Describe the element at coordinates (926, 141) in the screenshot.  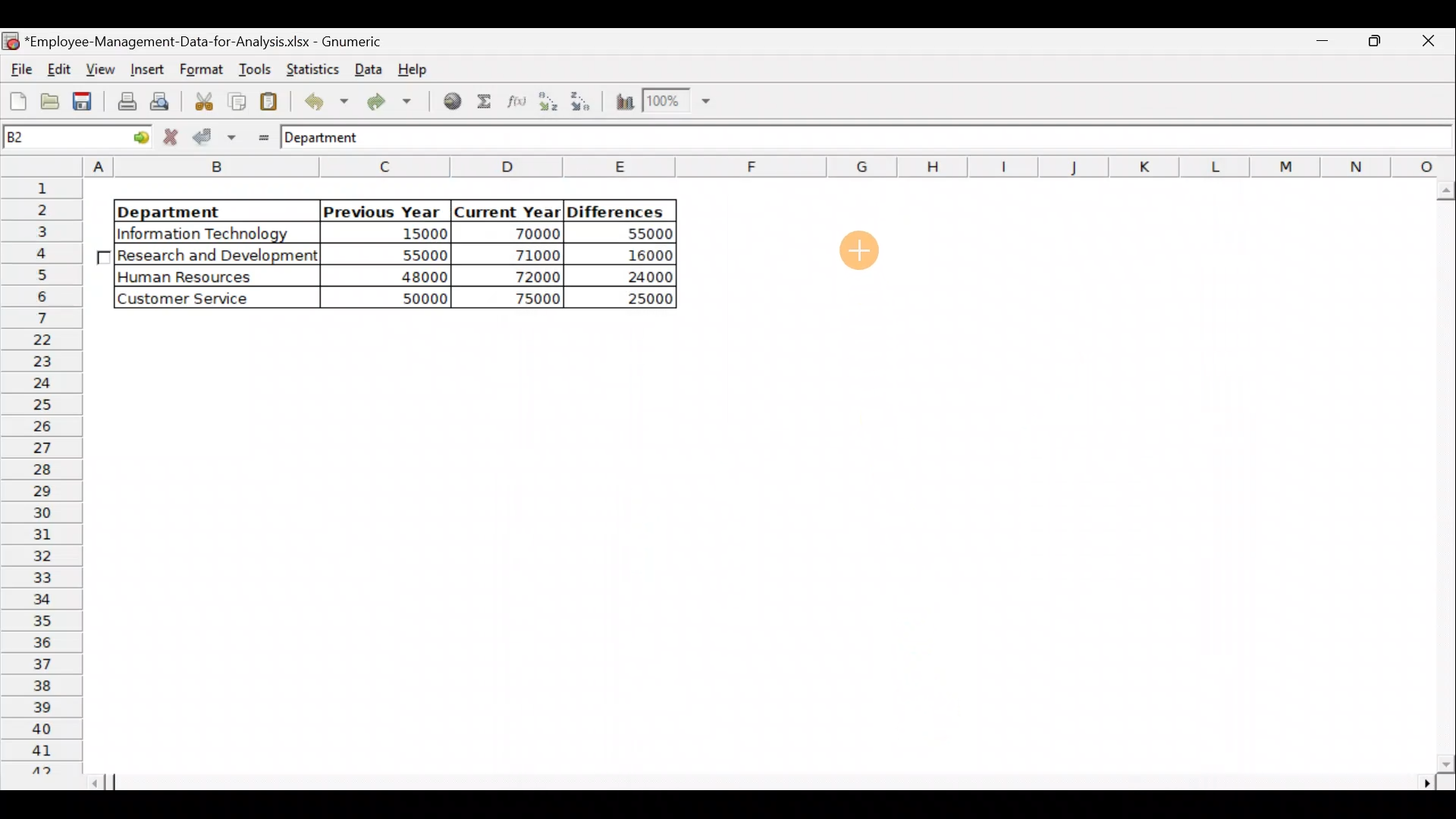
I see `Formula bar` at that location.